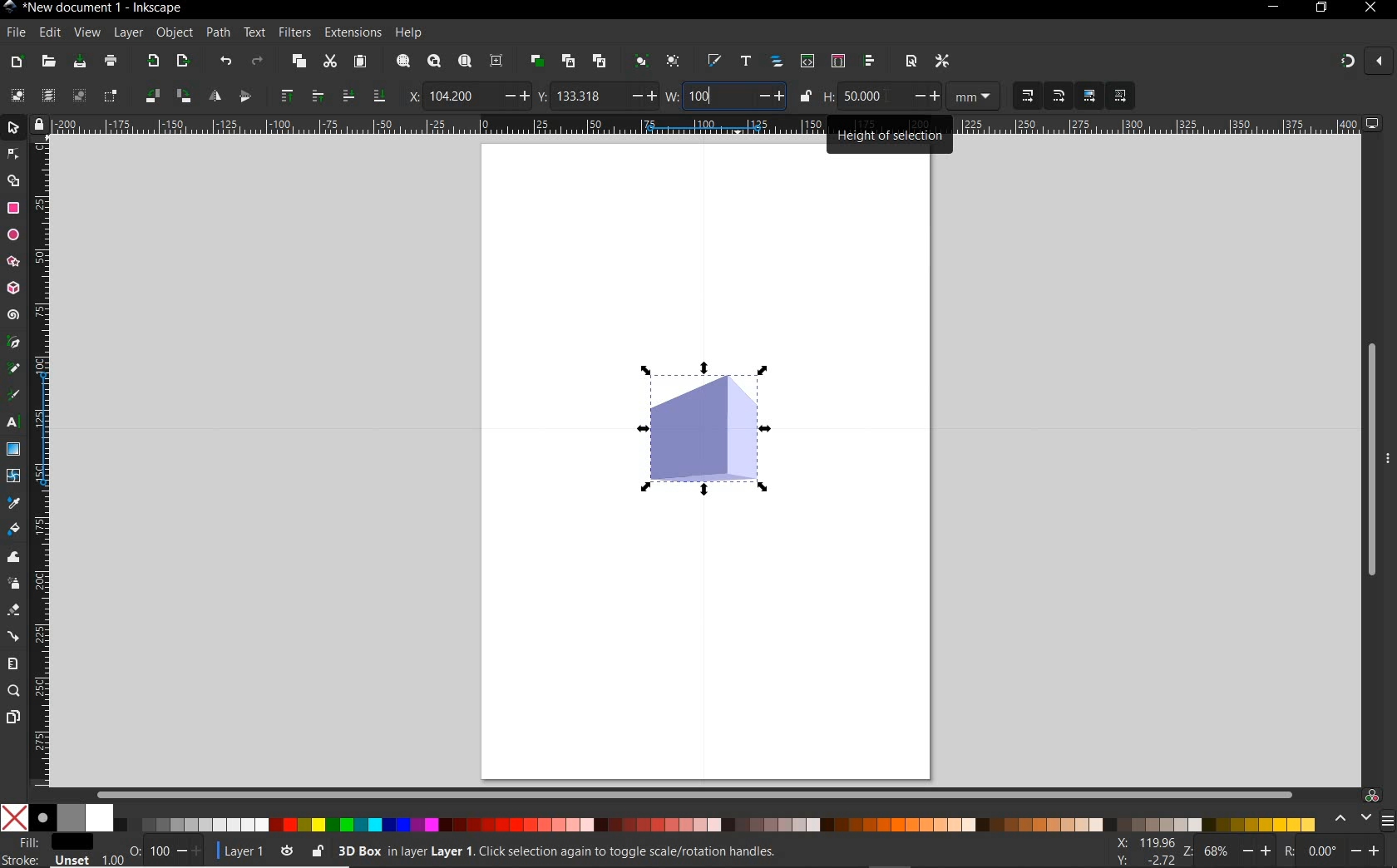 The image size is (1397, 868). I want to click on more options, so click(1389, 457).